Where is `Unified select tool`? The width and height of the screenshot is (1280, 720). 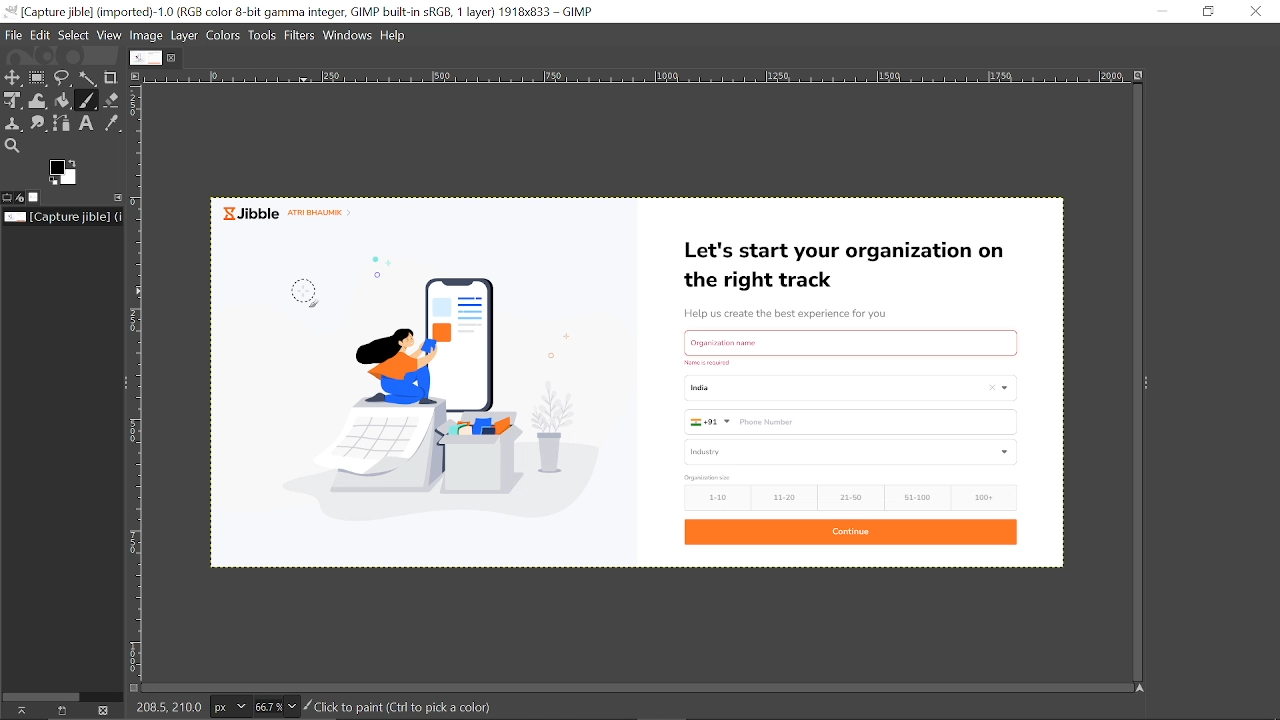 Unified select tool is located at coordinates (13, 101).